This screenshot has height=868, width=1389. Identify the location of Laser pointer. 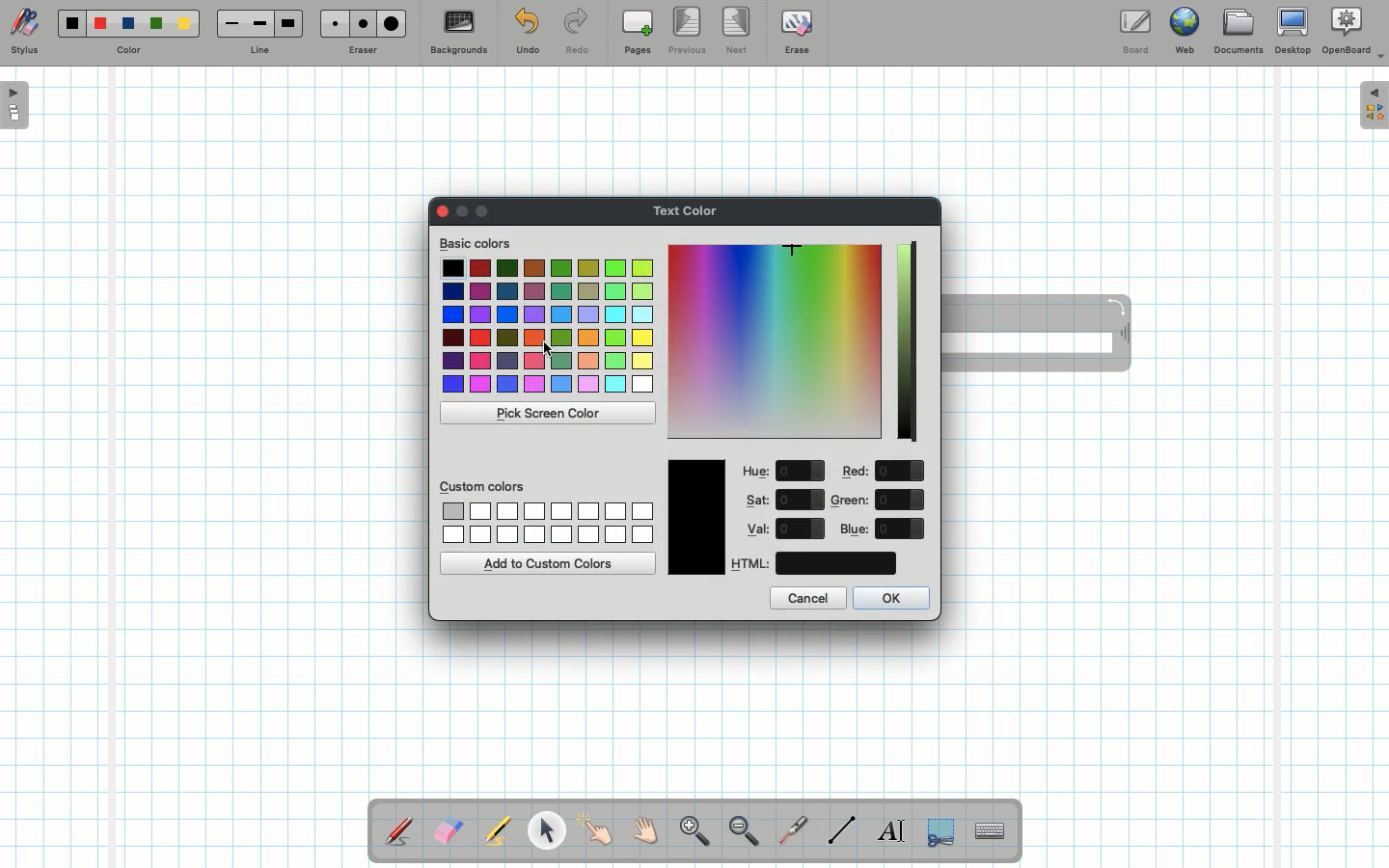
(789, 831).